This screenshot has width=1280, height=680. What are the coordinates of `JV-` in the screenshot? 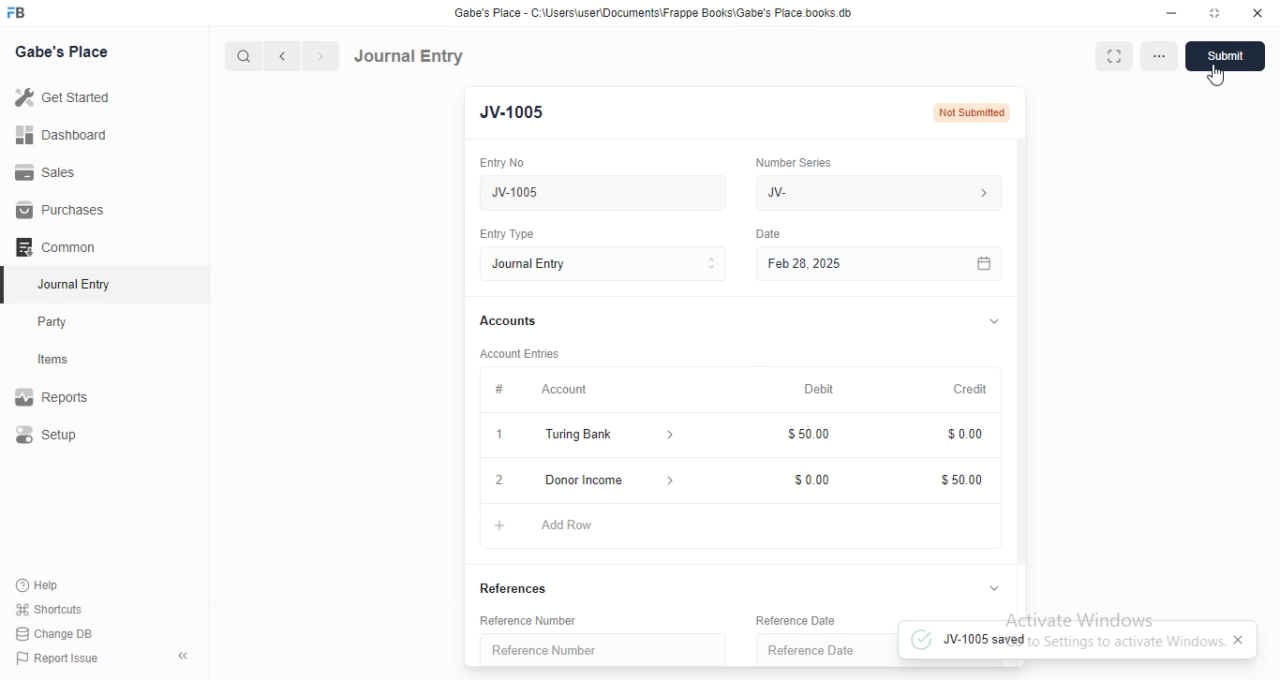 It's located at (878, 190).